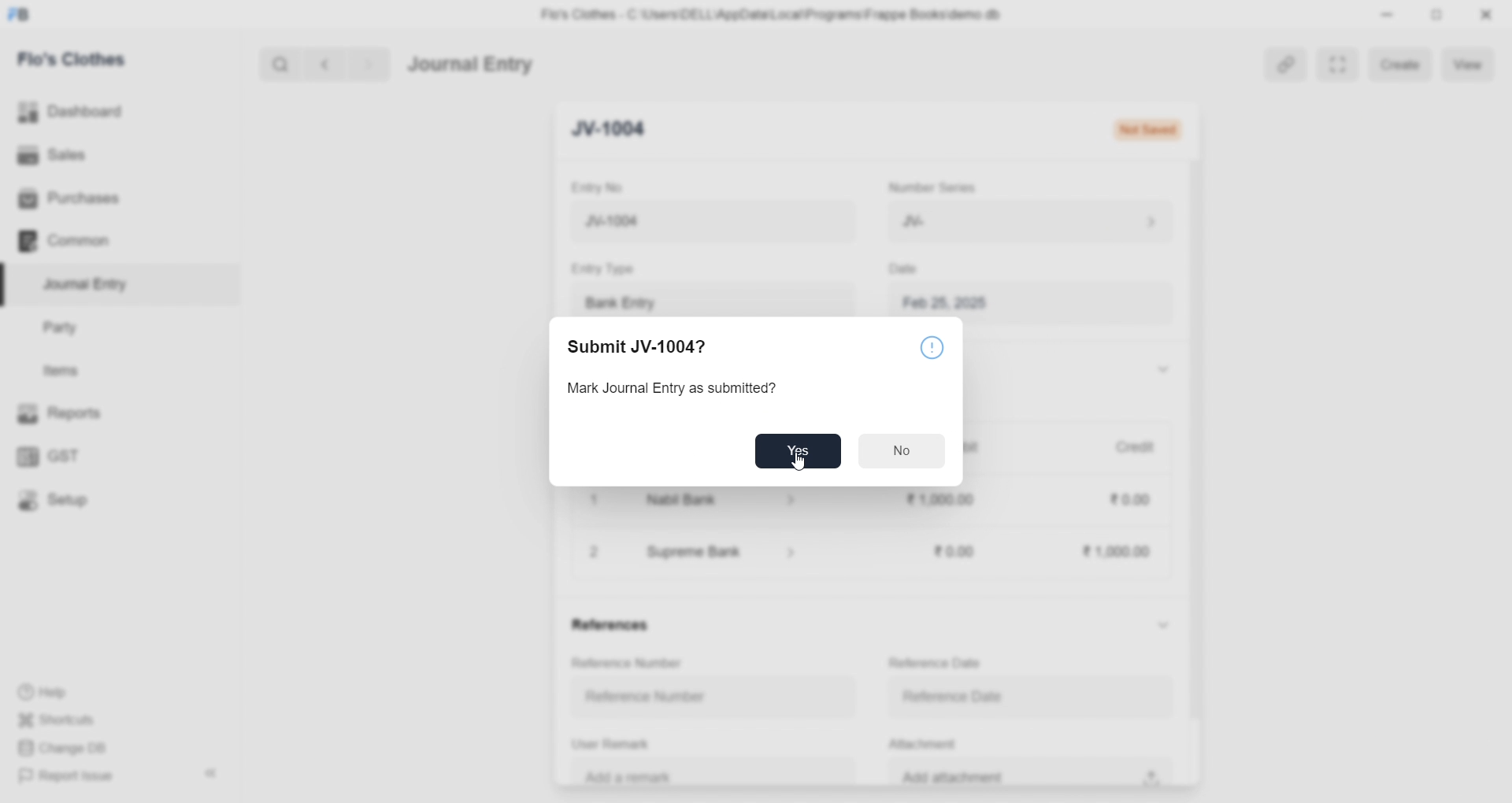 The image size is (1512, 803). What do you see at coordinates (798, 451) in the screenshot?
I see `Yes` at bounding box center [798, 451].